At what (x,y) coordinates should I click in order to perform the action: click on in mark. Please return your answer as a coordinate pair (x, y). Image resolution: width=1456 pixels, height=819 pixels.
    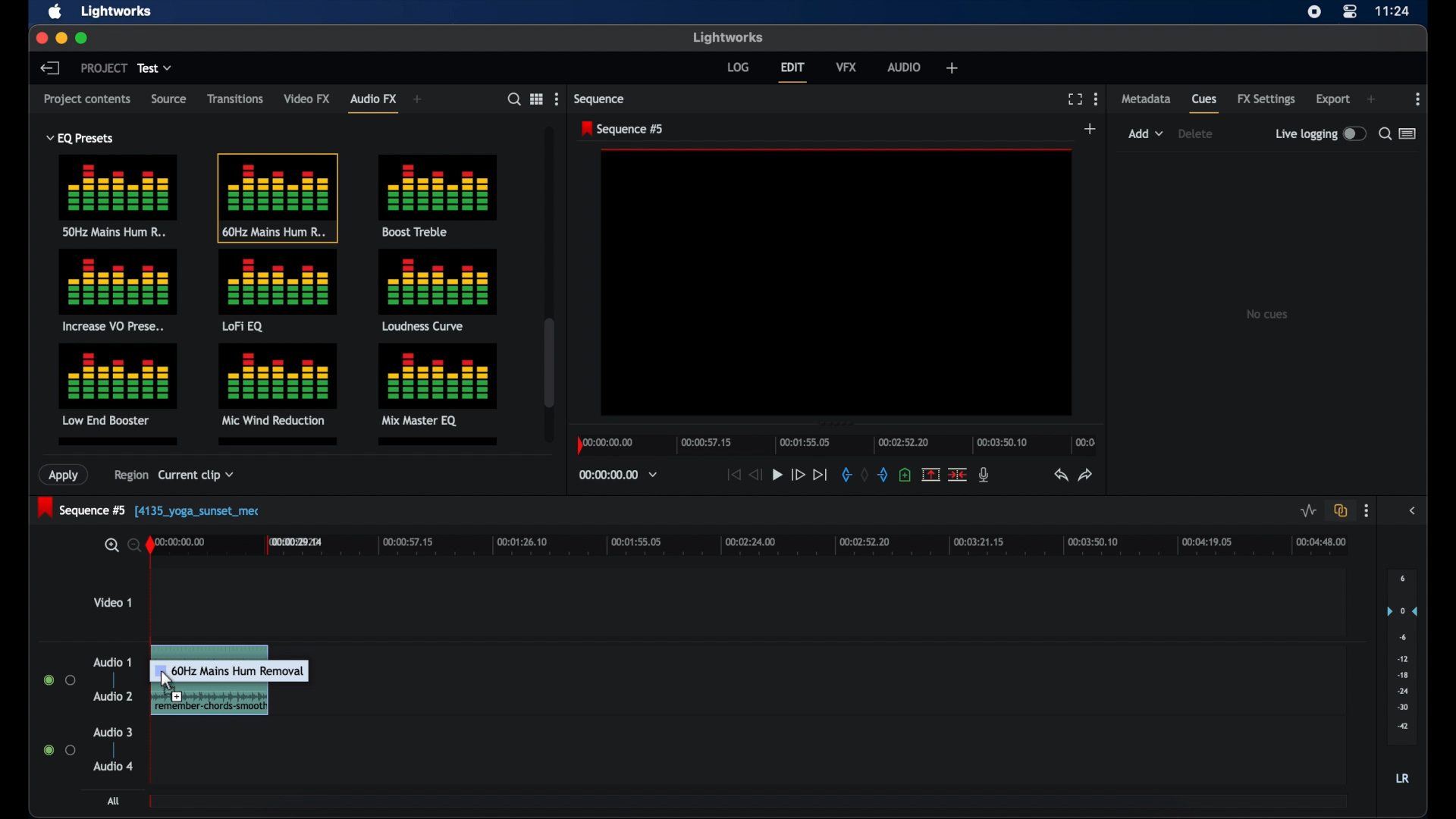
    Looking at the image, I should click on (845, 474).